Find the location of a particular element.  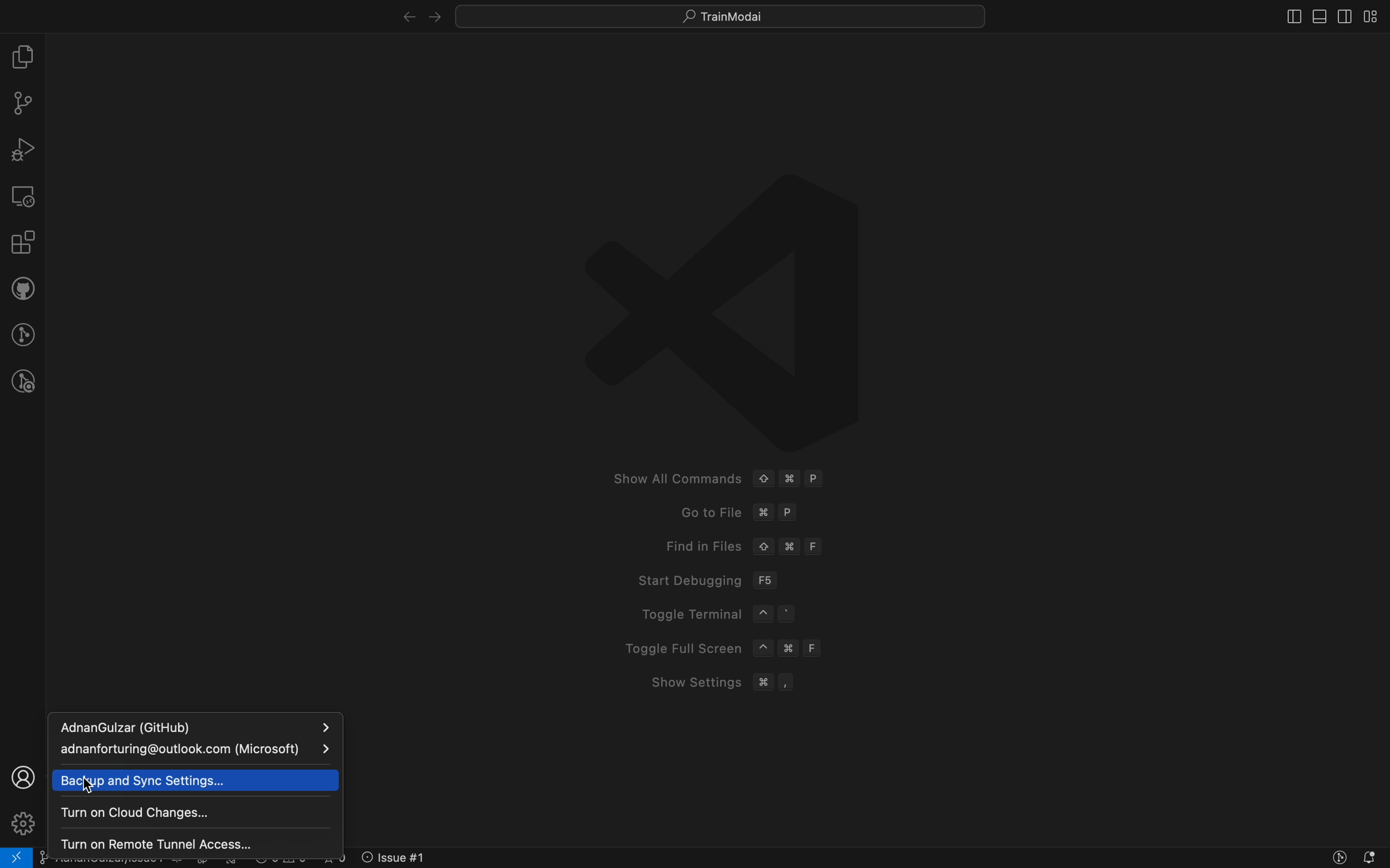

notofications is located at coordinates (1372, 858).